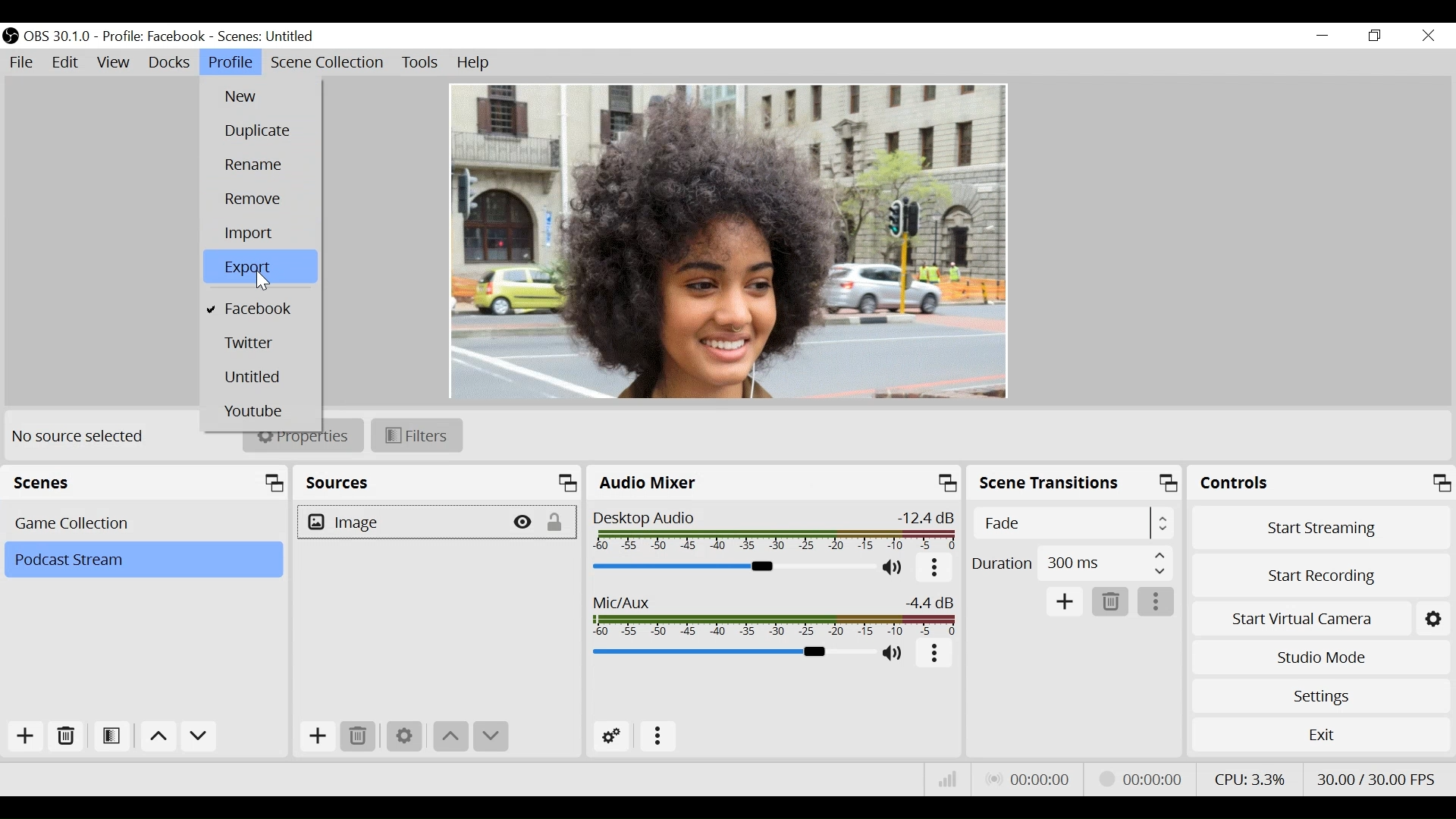 This screenshot has height=819, width=1456. I want to click on Desktop Audio, so click(774, 530).